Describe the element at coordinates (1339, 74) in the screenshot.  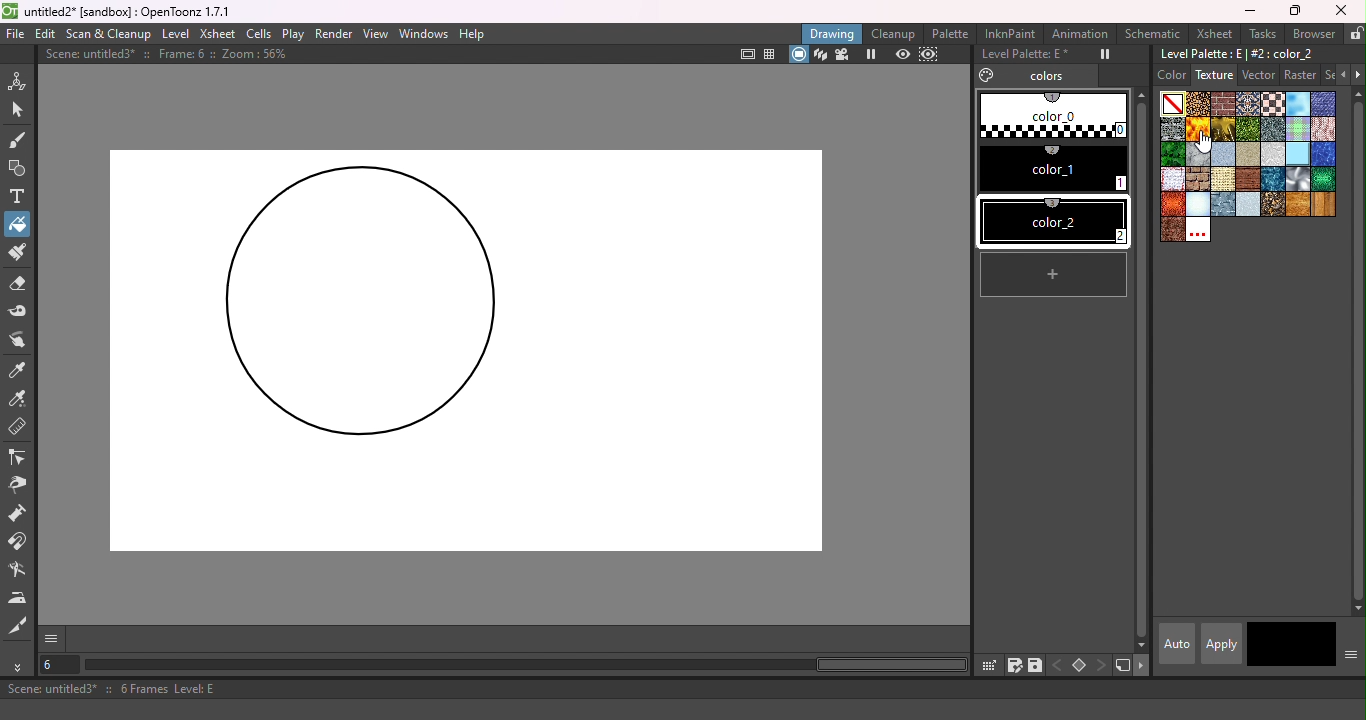
I see `Previous` at that location.